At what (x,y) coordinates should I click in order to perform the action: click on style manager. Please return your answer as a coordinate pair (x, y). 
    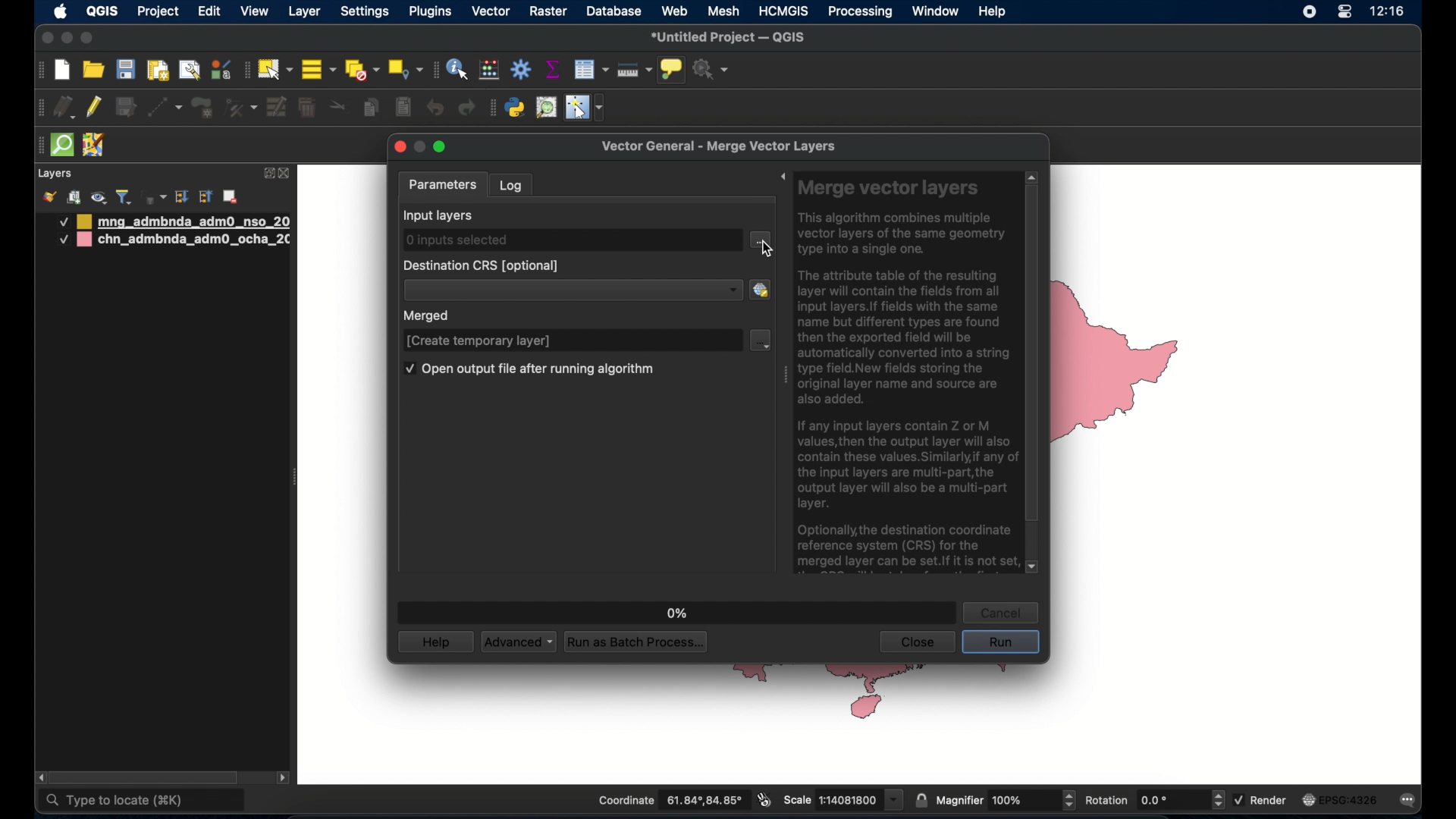
    Looking at the image, I should click on (220, 69).